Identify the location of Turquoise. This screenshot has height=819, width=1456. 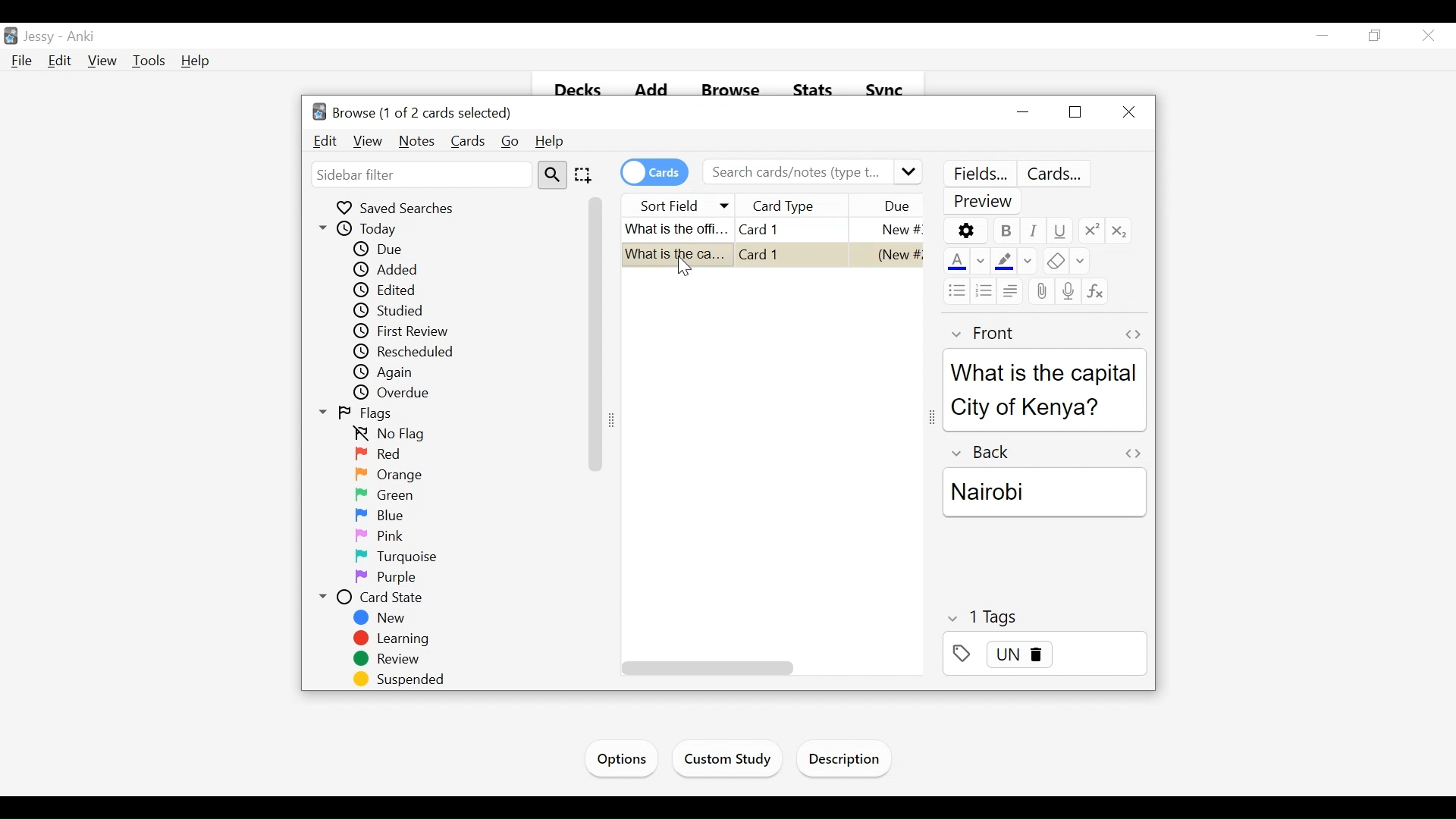
(403, 557).